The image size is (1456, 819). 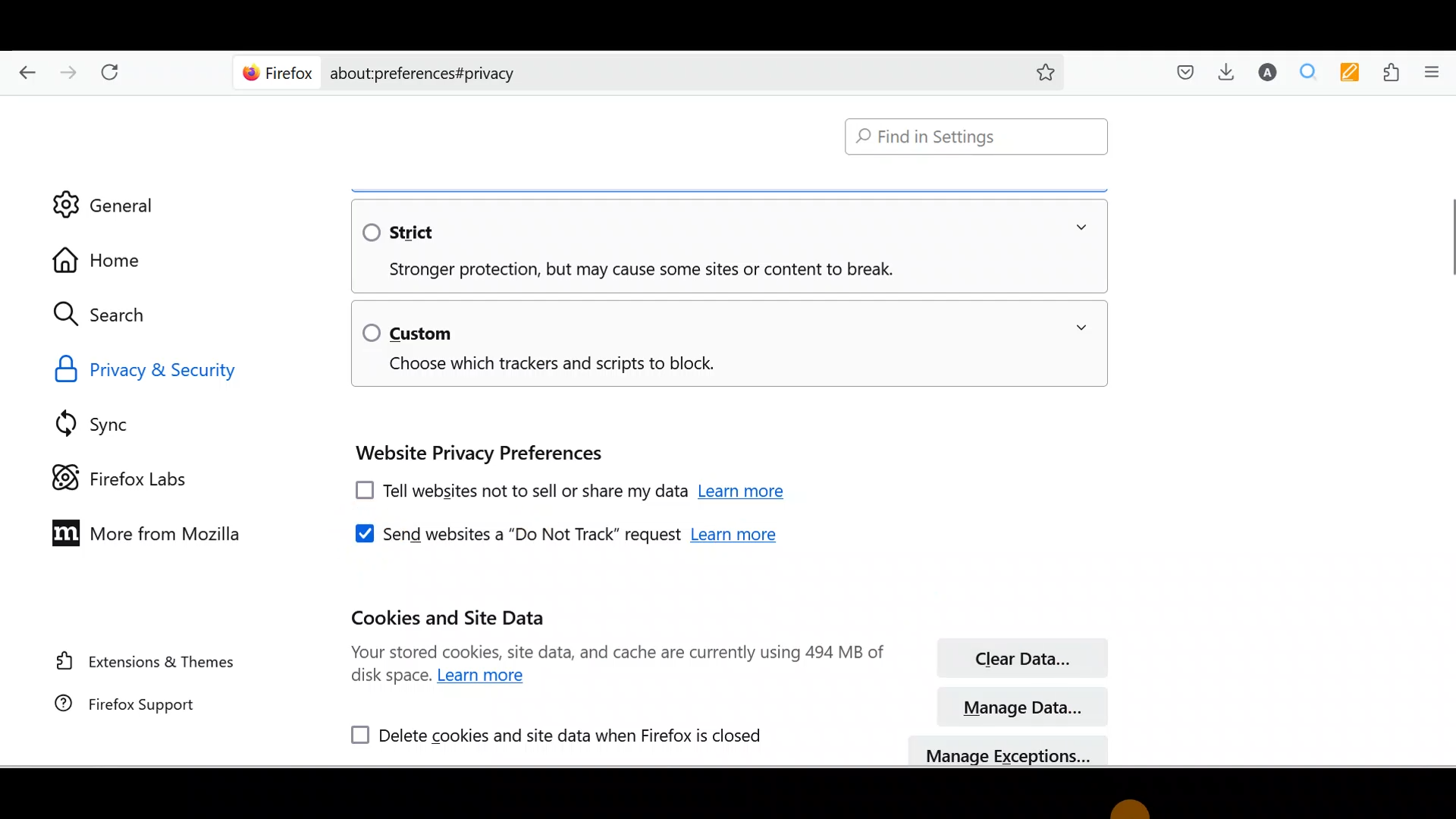 What do you see at coordinates (1186, 71) in the screenshot?
I see `Save to pocket` at bounding box center [1186, 71].